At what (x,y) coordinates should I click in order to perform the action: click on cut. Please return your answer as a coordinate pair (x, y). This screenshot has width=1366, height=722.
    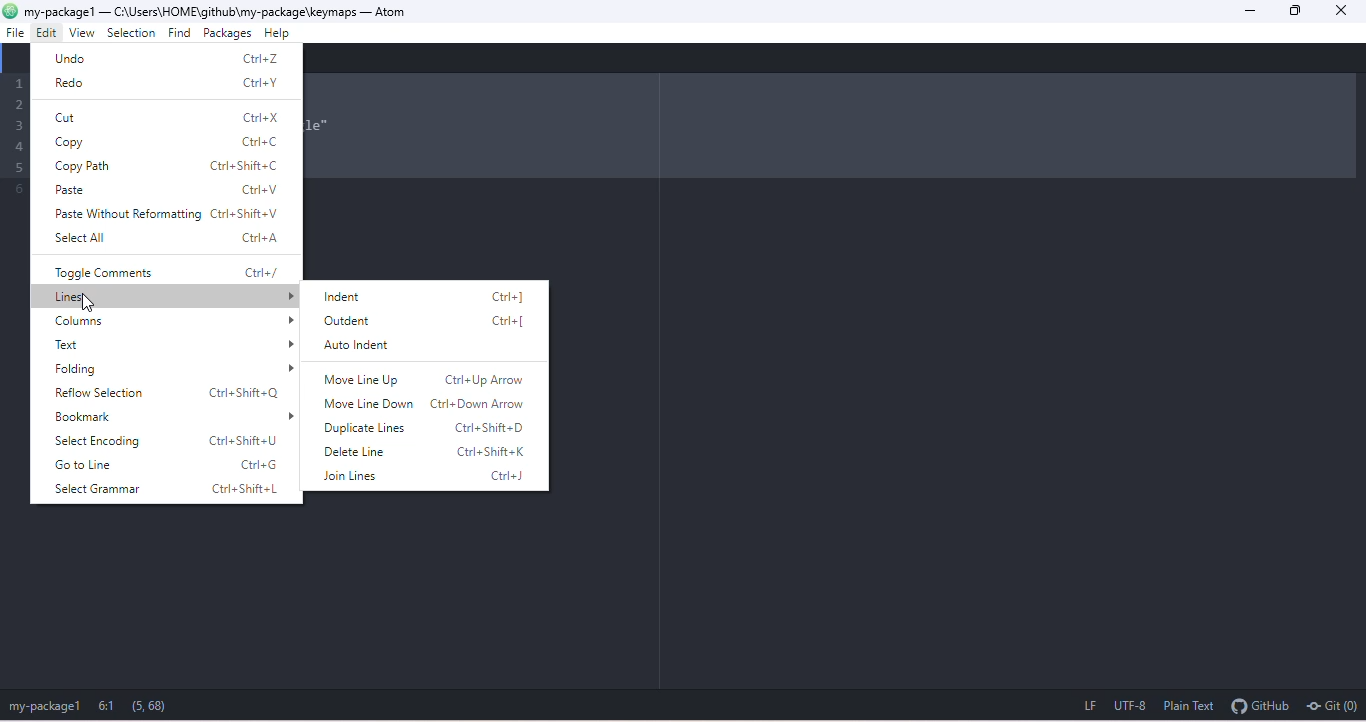
    Looking at the image, I should click on (162, 120).